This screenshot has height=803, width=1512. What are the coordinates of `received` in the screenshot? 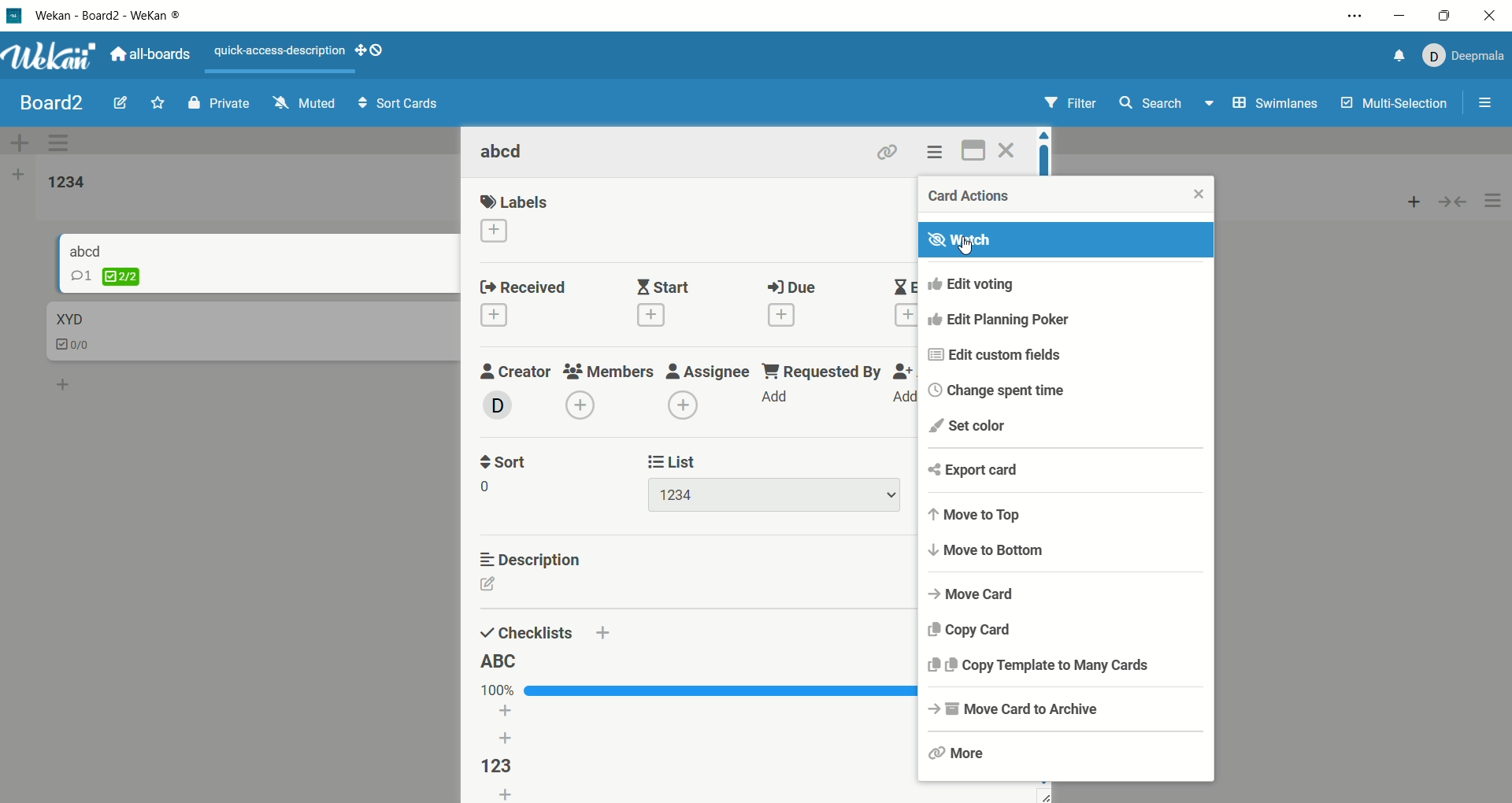 It's located at (521, 305).